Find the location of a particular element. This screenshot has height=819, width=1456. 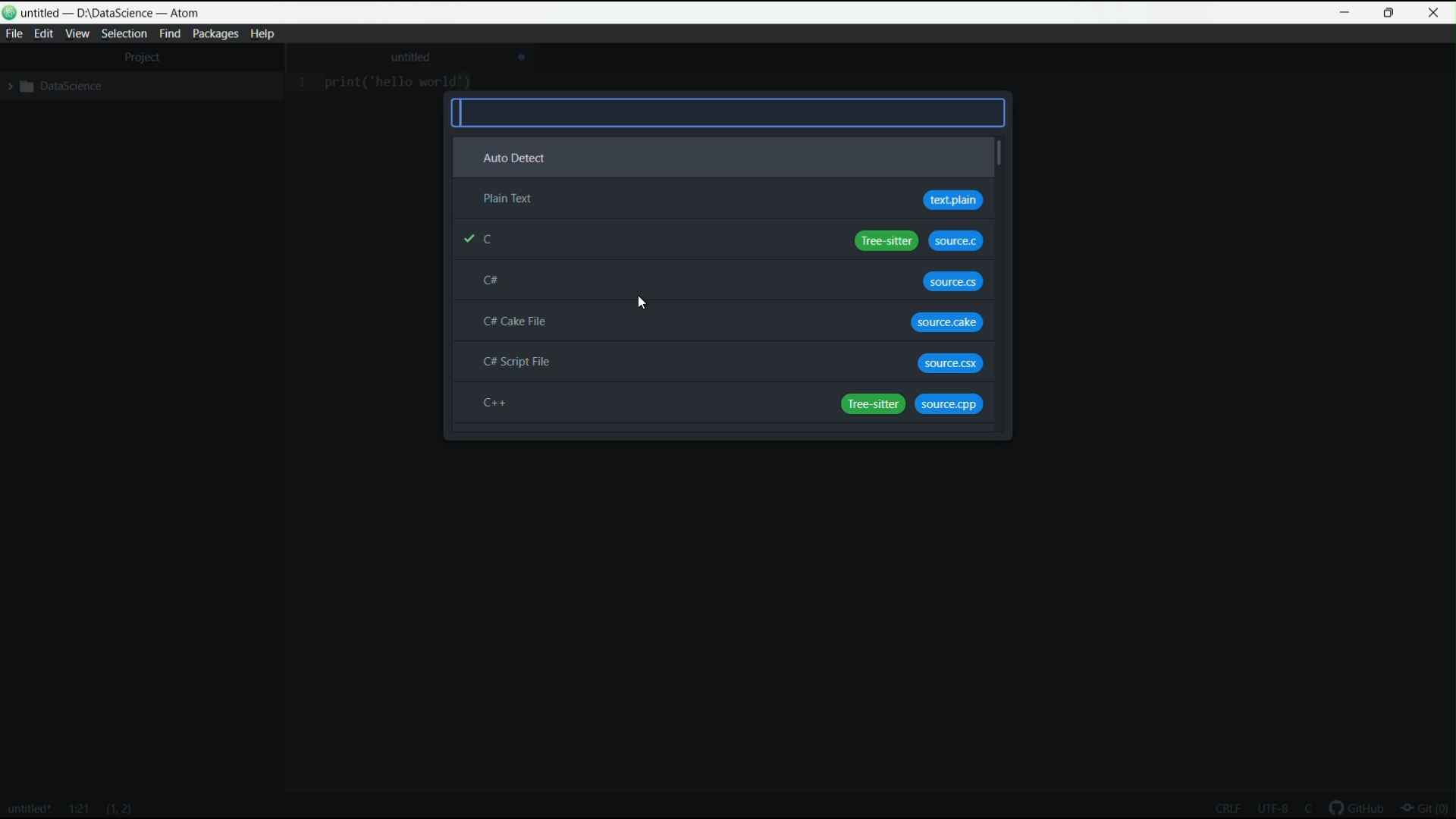

source.c is located at coordinates (958, 242).